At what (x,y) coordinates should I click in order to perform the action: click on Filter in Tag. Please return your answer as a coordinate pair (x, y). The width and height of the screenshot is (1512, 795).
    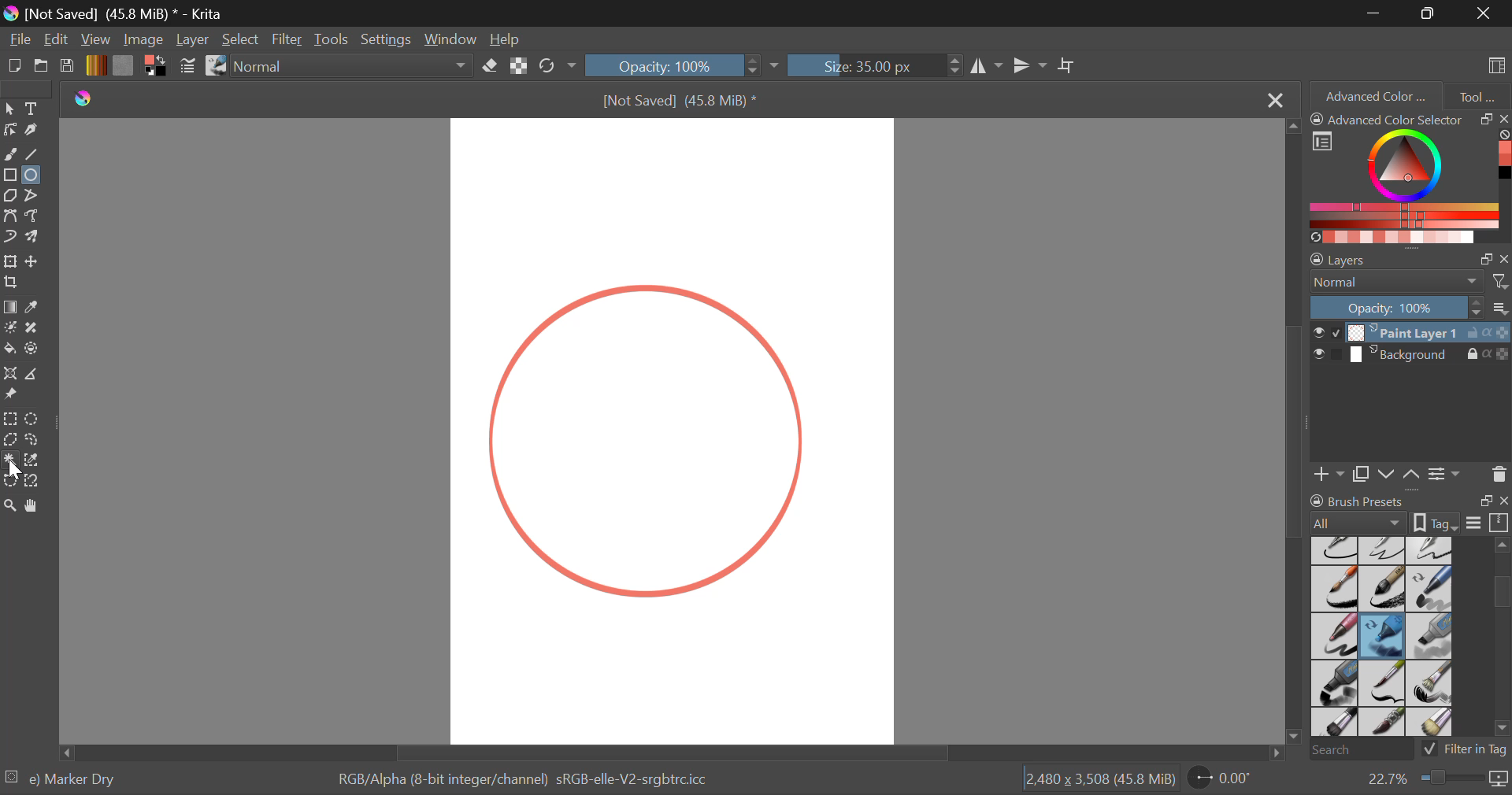
    Looking at the image, I should click on (1466, 748).